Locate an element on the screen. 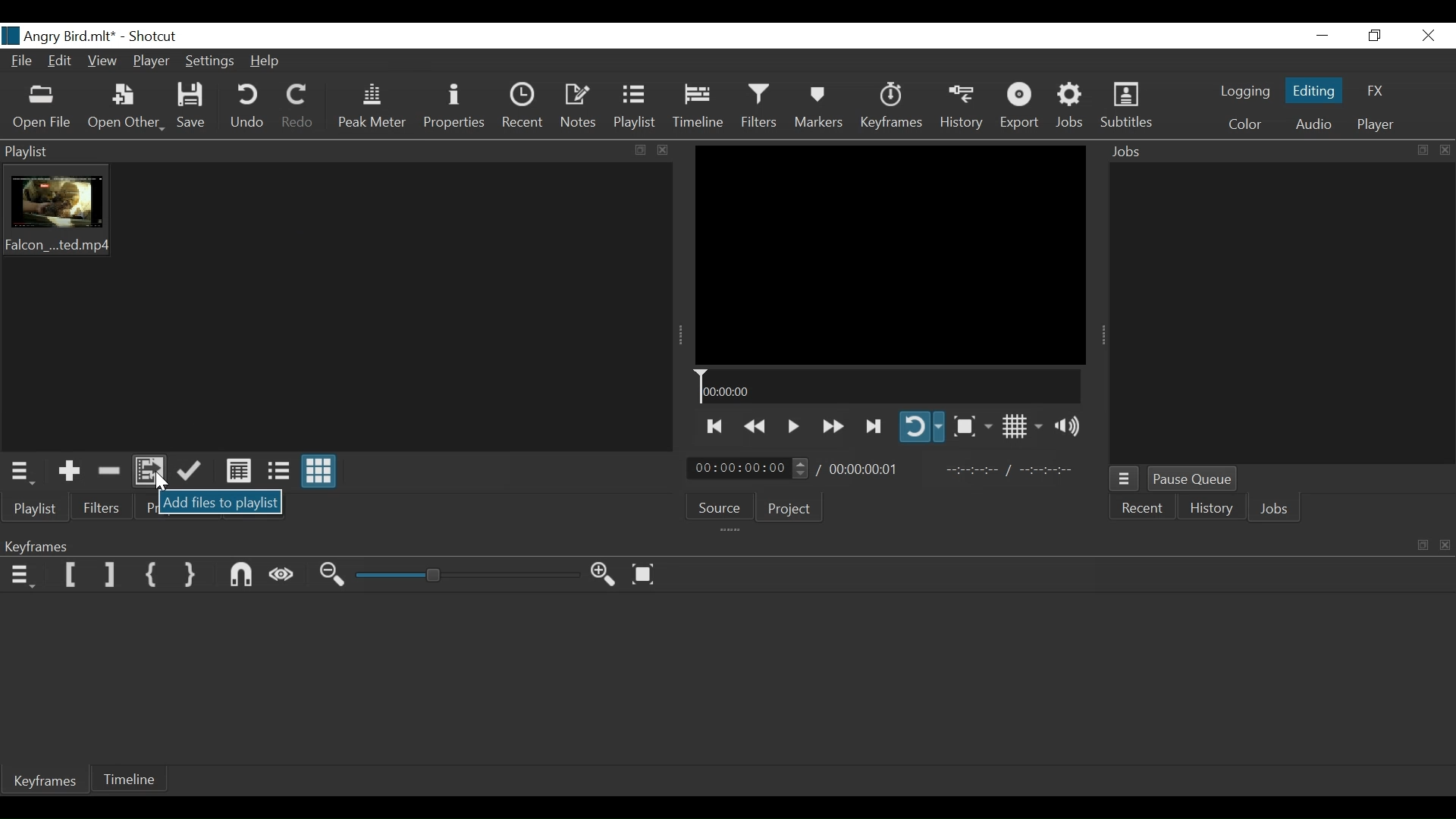 The width and height of the screenshot is (1456, 819). Close is located at coordinates (1428, 36).